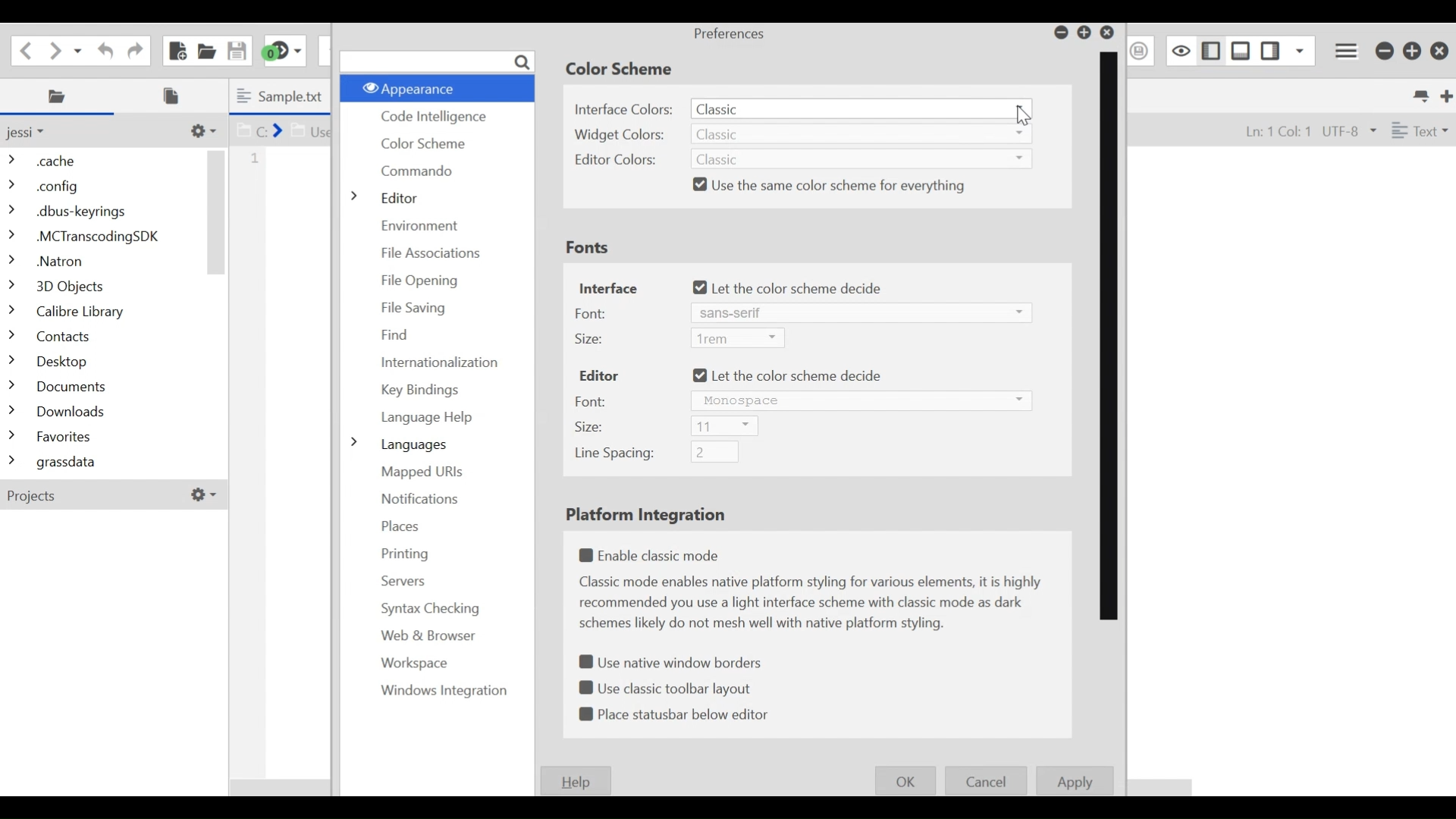 The image size is (1456, 819). What do you see at coordinates (862, 109) in the screenshot?
I see `Interface Colors dropdown menu` at bounding box center [862, 109].